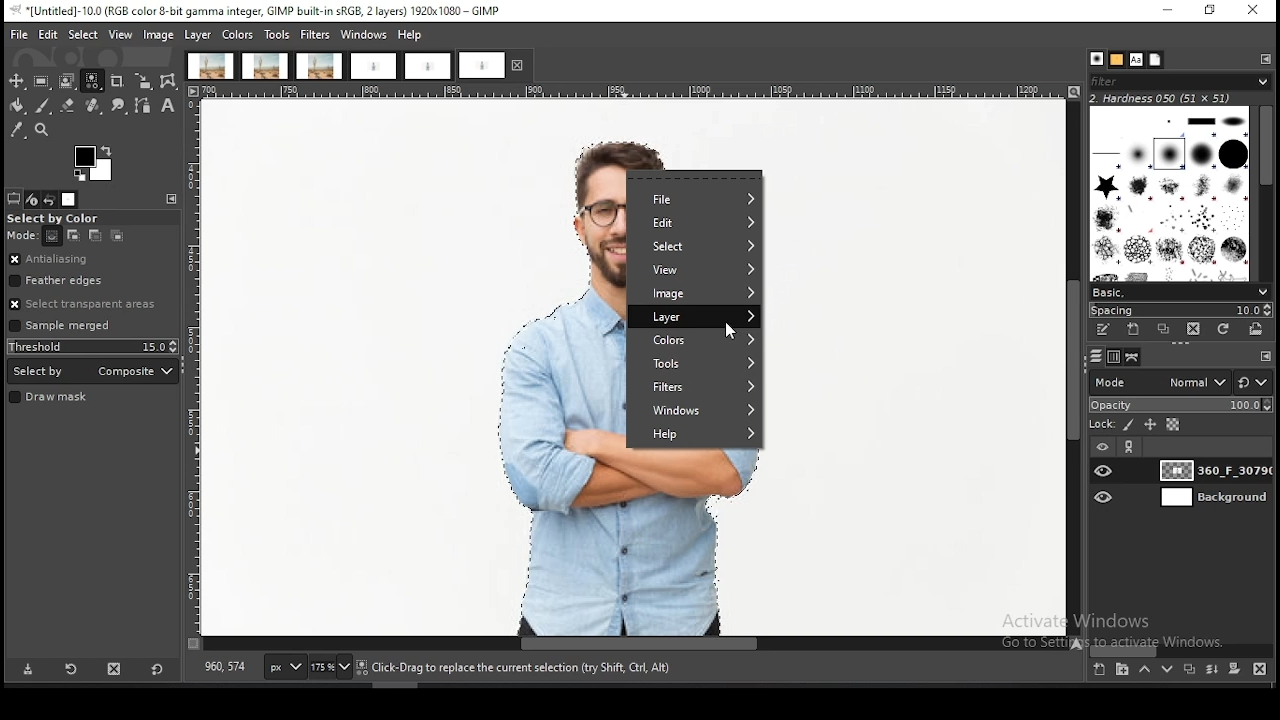 The height and width of the screenshot is (720, 1280). I want to click on 775, 465, so click(227, 668).